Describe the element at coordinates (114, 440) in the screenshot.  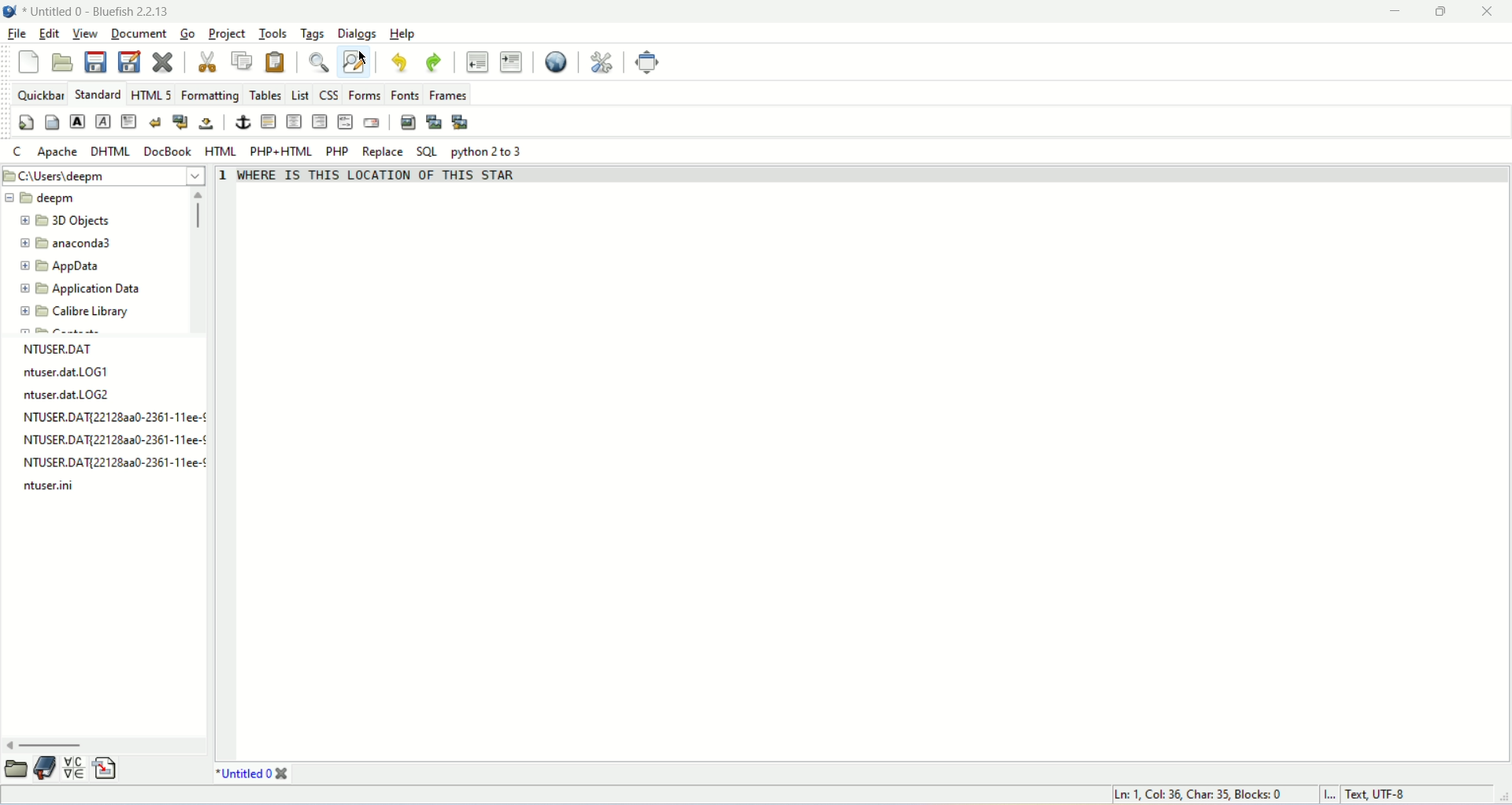
I see `file name` at that location.